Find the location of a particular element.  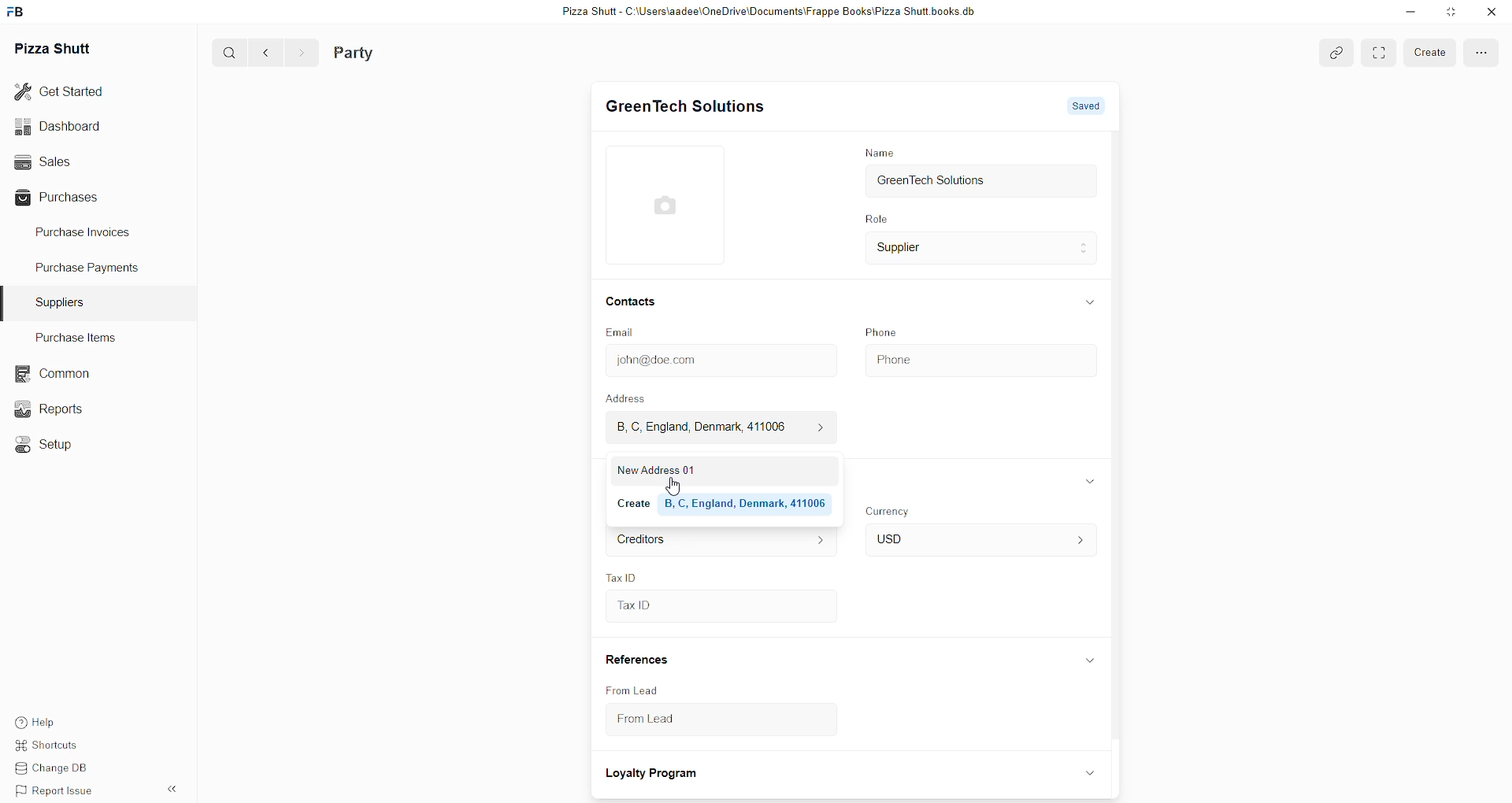

calhaf
Create B,C, England, Denmark, 411006 is located at coordinates (719, 503).